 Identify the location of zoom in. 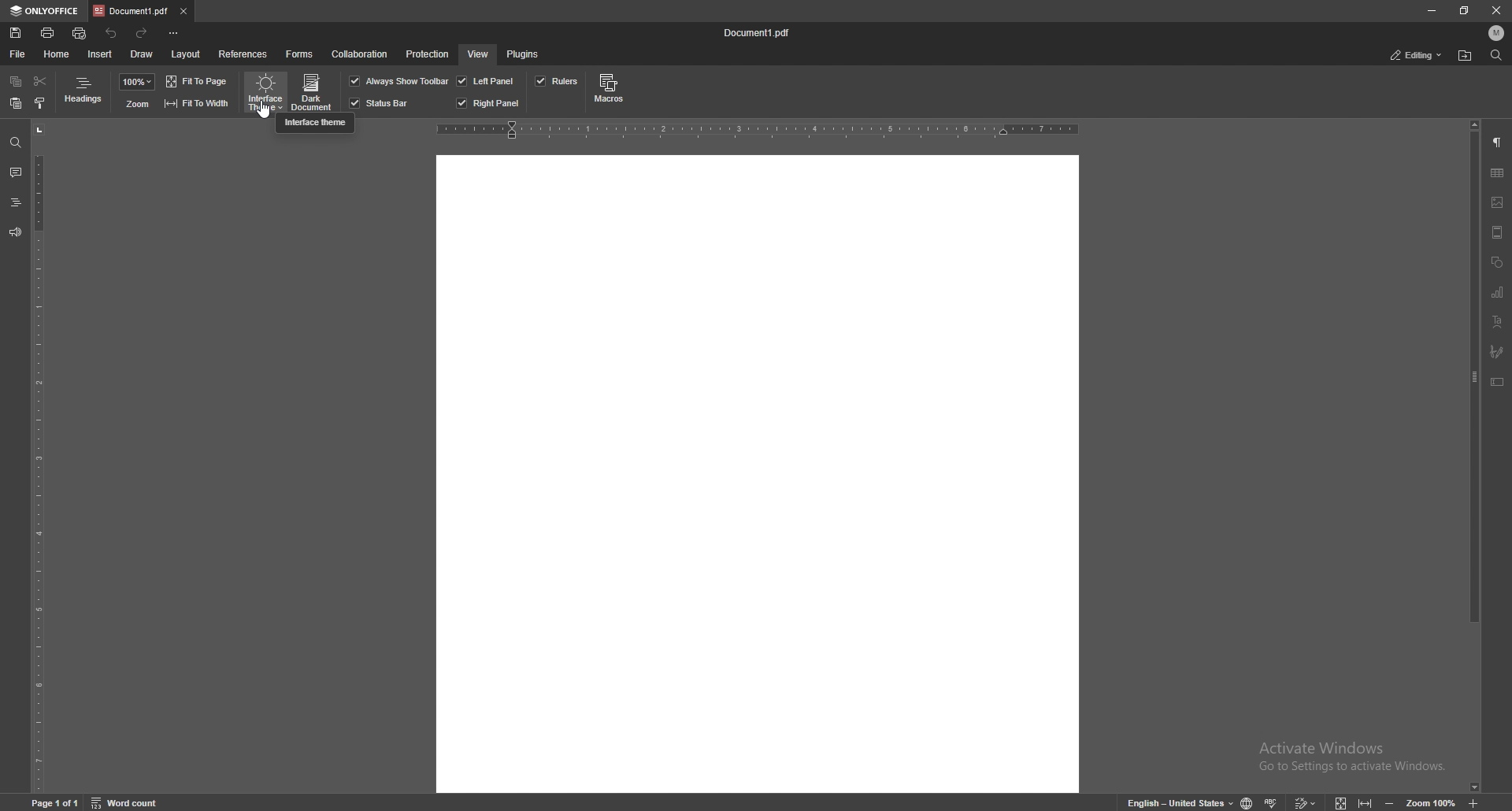
(1476, 802).